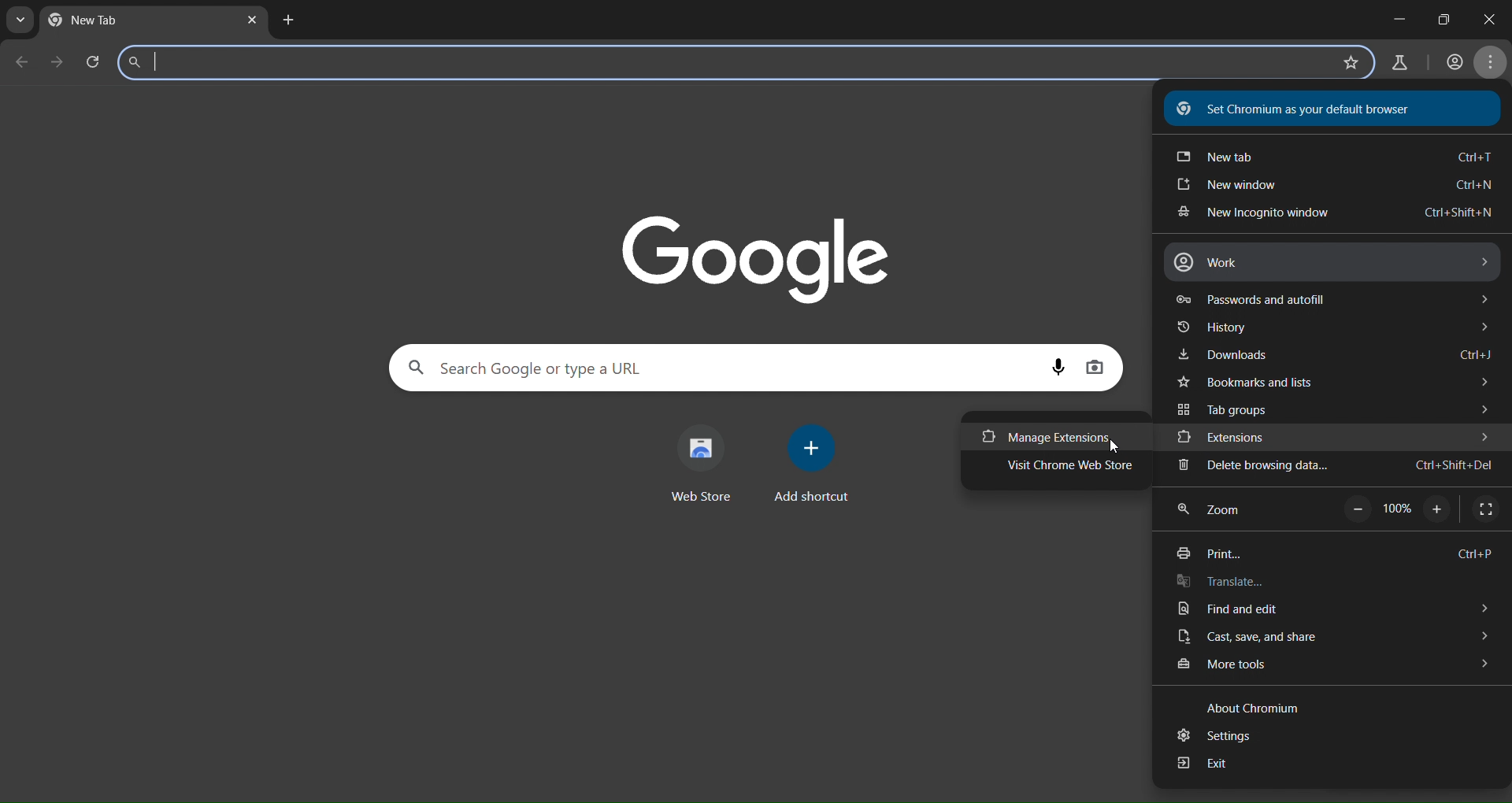 The width and height of the screenshot is (1512, 803). What do you see at coordinates (1387, 17) in the screenshot?
I see `minimize` at bounding box center [1387, 17].